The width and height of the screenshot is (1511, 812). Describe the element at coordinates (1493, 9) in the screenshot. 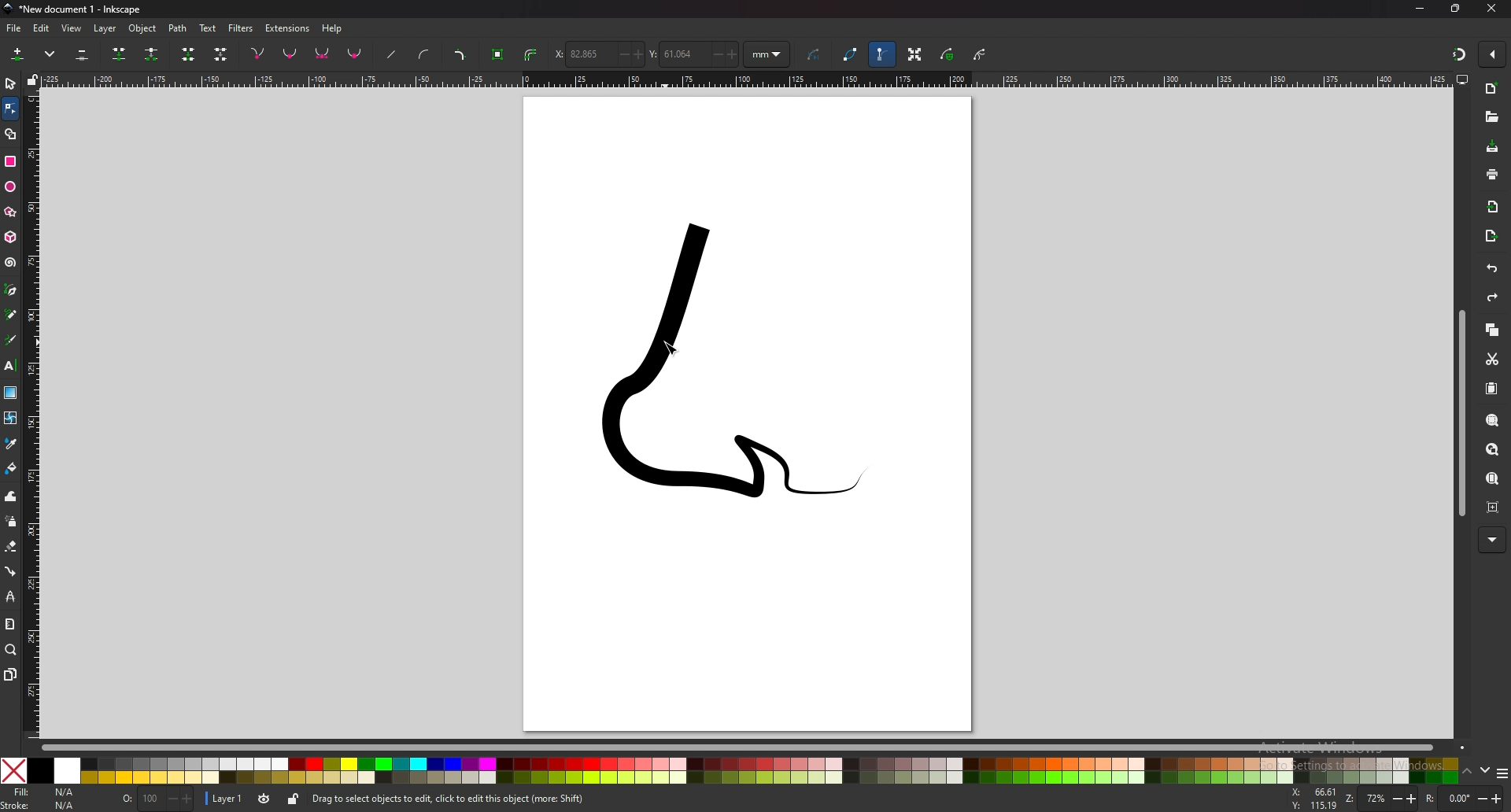

I see `close` at that location.